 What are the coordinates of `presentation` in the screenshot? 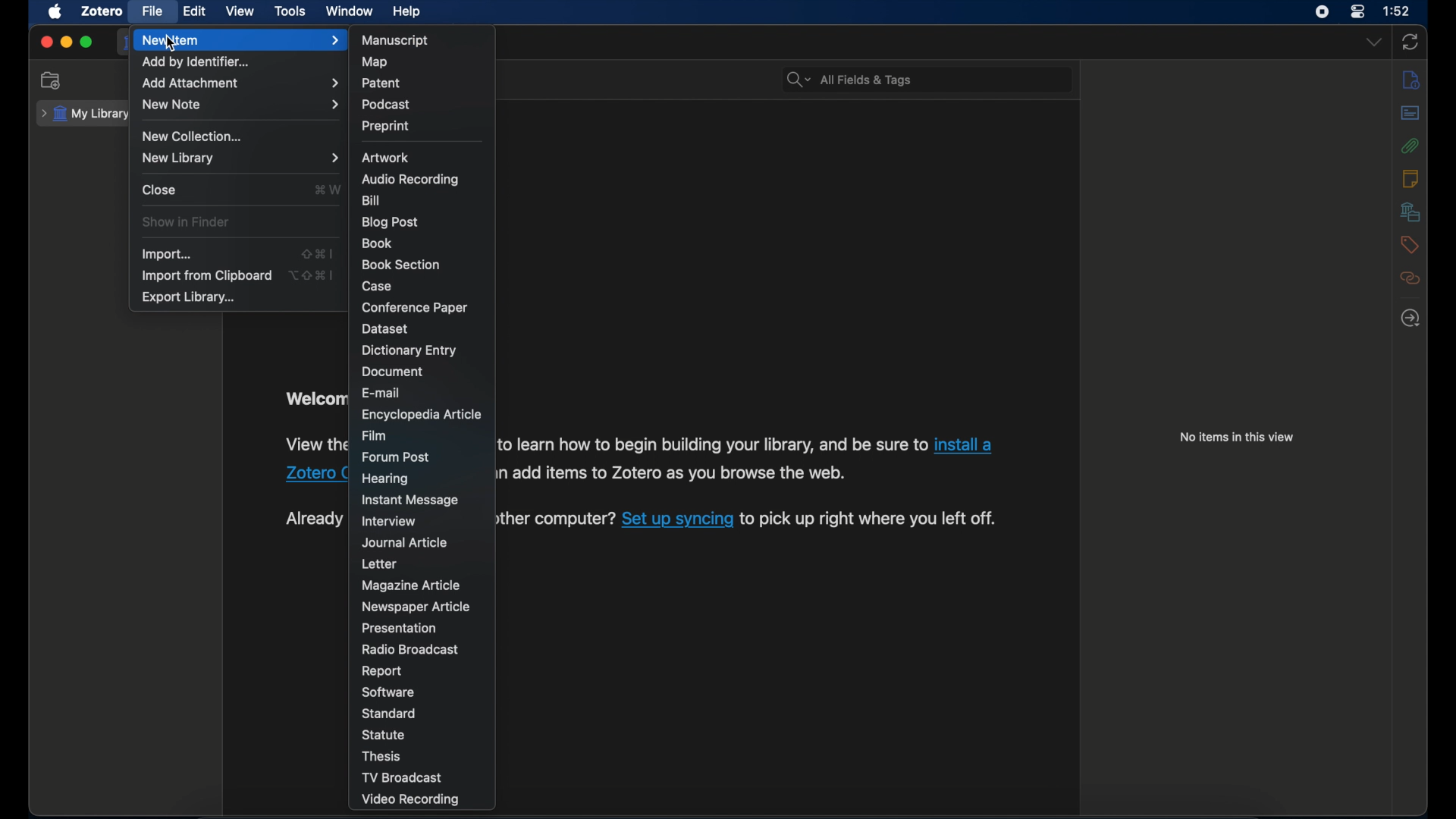 It's located at (400, 629).